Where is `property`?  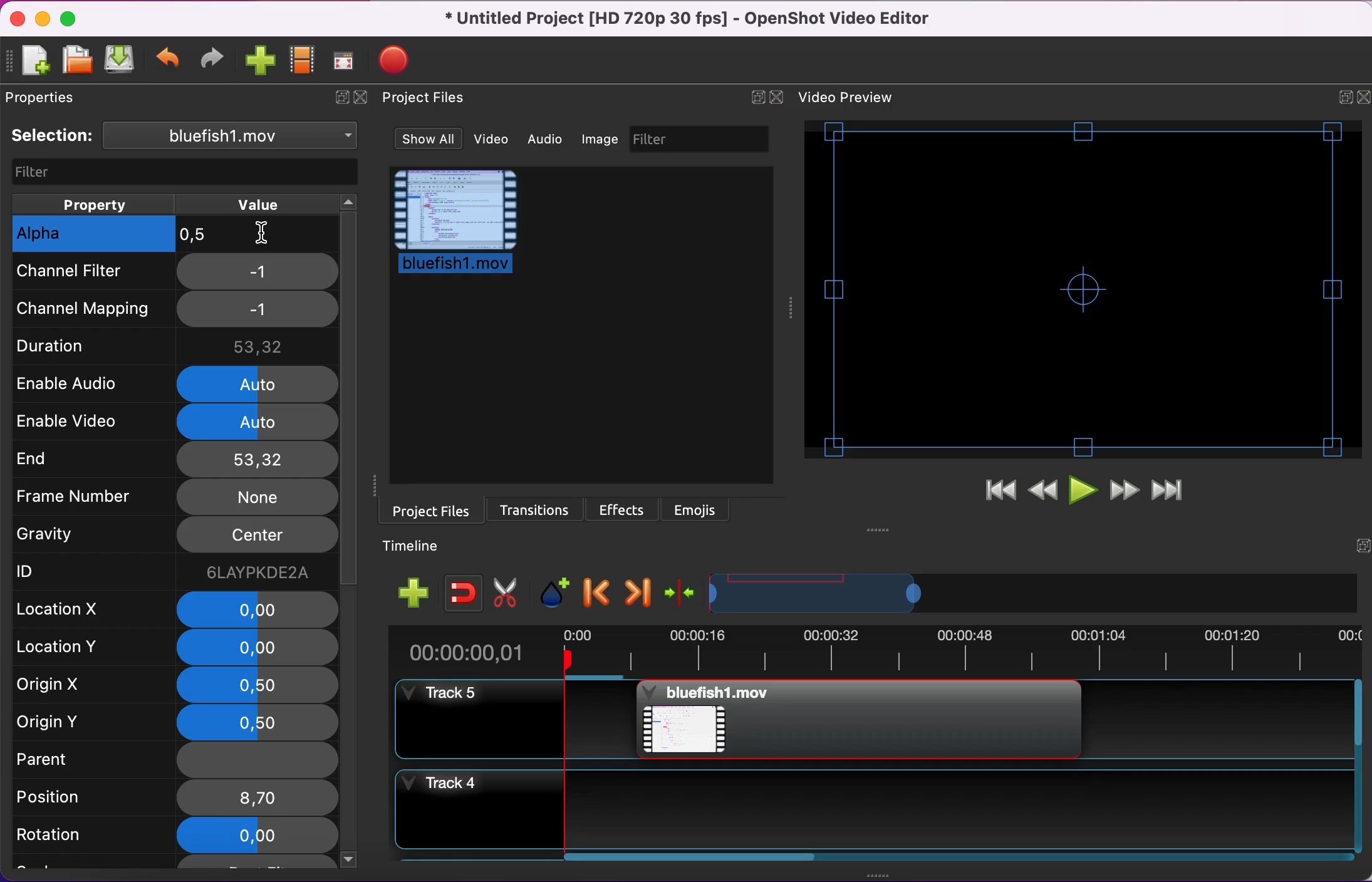
property is located at coordinates (96, 203).